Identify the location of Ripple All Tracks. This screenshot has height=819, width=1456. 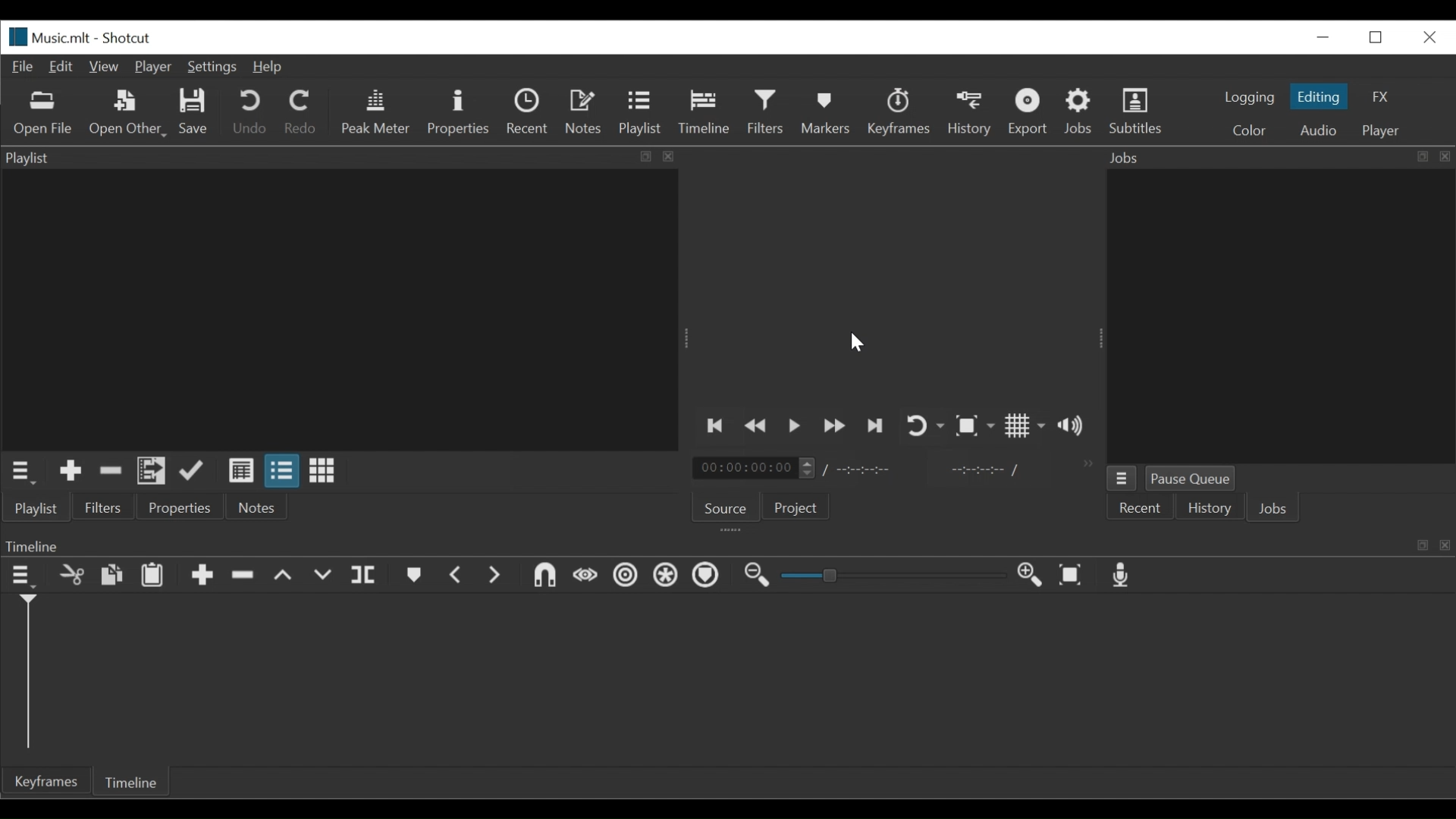
(663, 578).